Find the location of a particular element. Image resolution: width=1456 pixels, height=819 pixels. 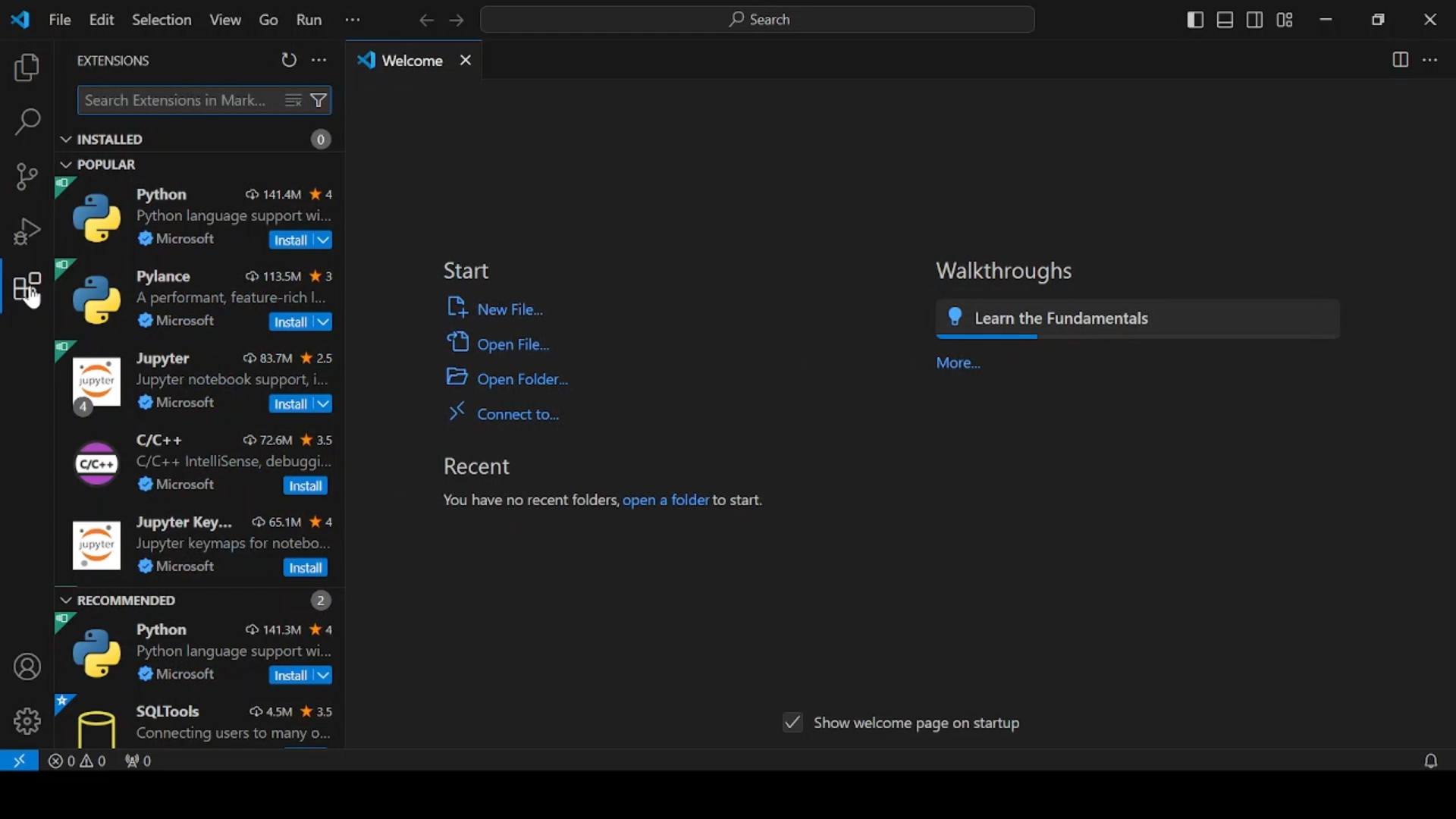

view is located at coordinates (223, 20).